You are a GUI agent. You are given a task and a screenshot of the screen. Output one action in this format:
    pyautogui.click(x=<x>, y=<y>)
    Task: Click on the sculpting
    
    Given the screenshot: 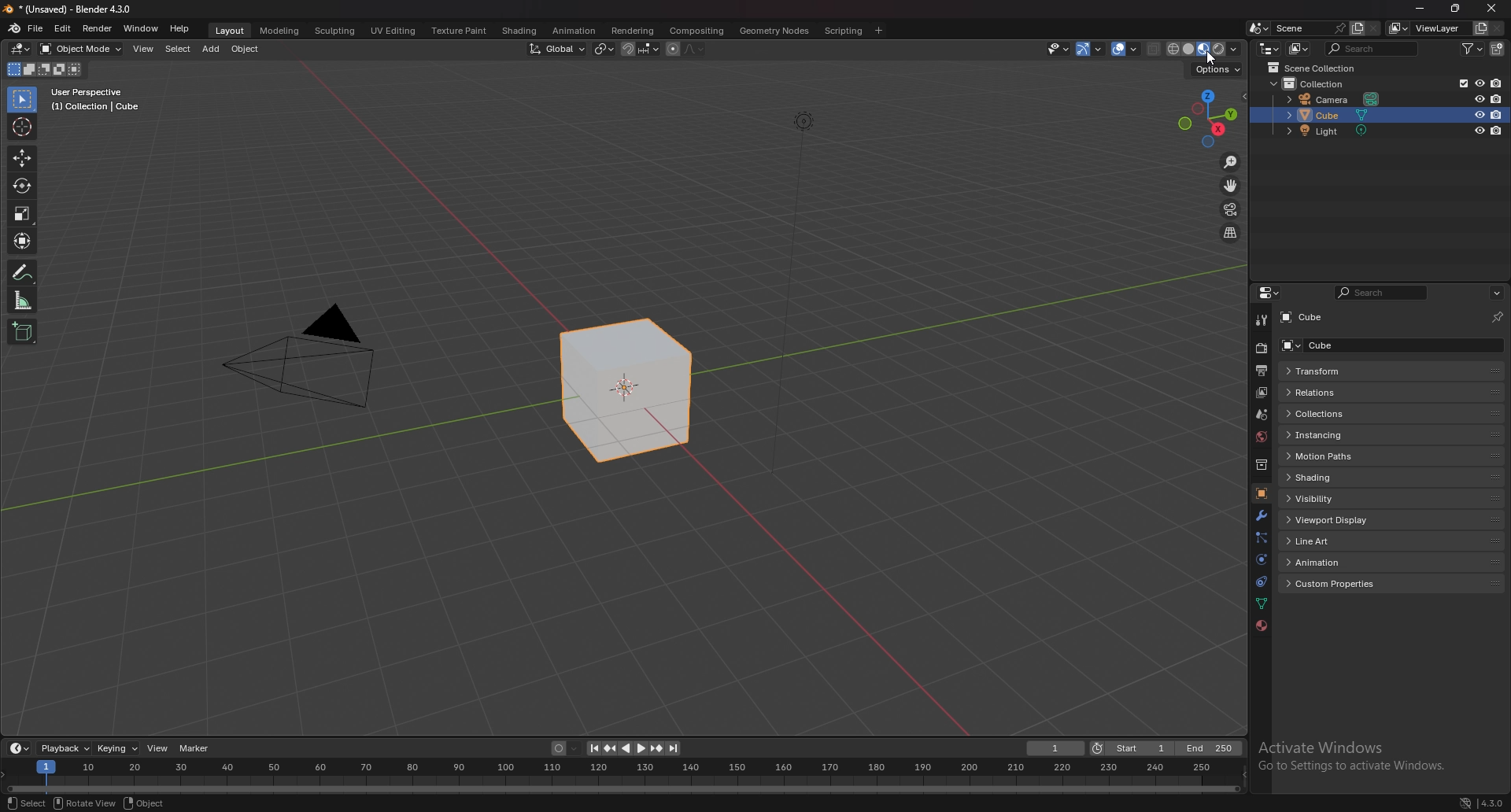 What is the action you would take?
    pyautogui.click(x=336, y=31)
    